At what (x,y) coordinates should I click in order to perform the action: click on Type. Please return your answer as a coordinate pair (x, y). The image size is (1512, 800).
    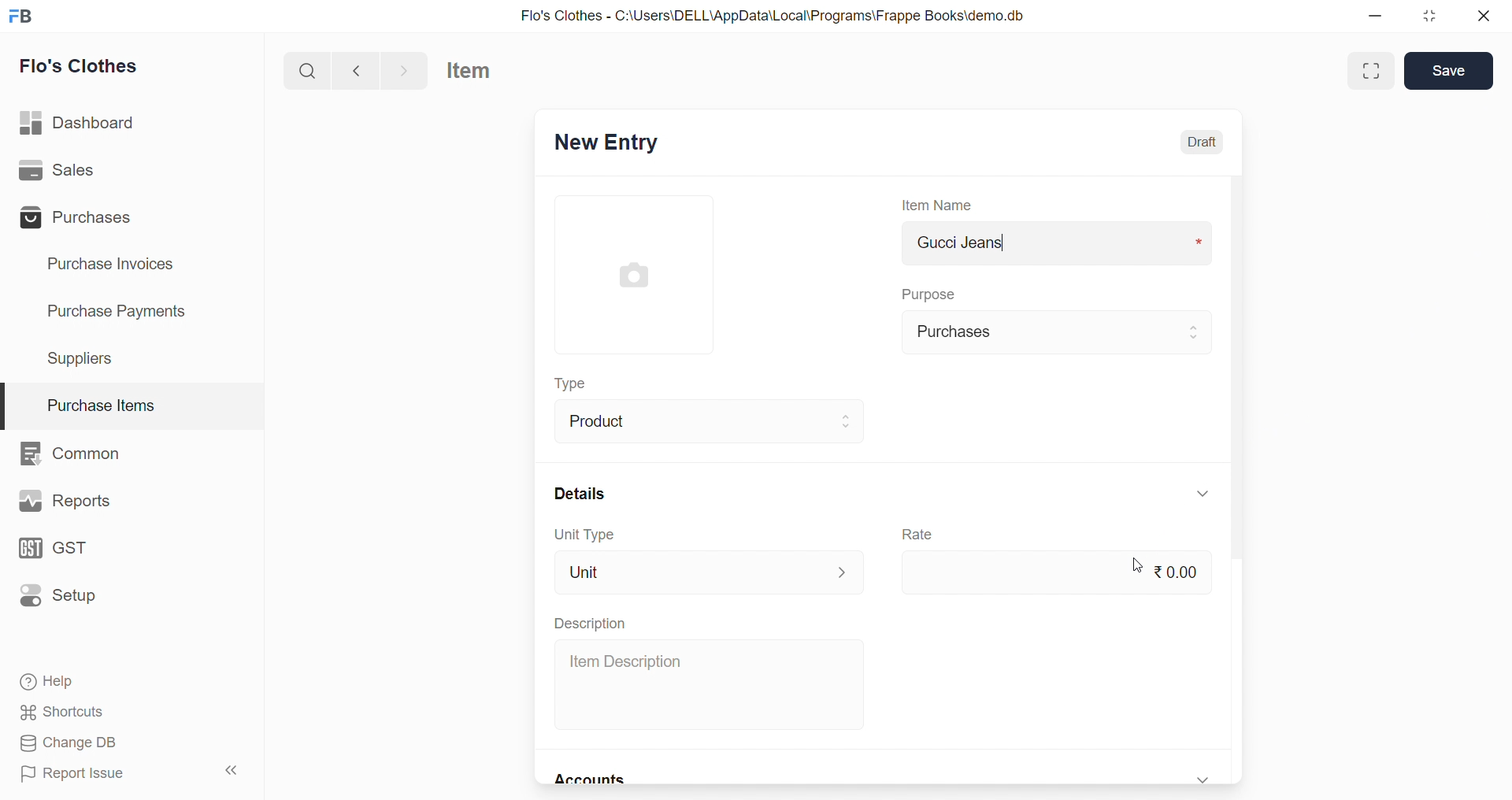
    Looking at the image, I should click on (577, 385).